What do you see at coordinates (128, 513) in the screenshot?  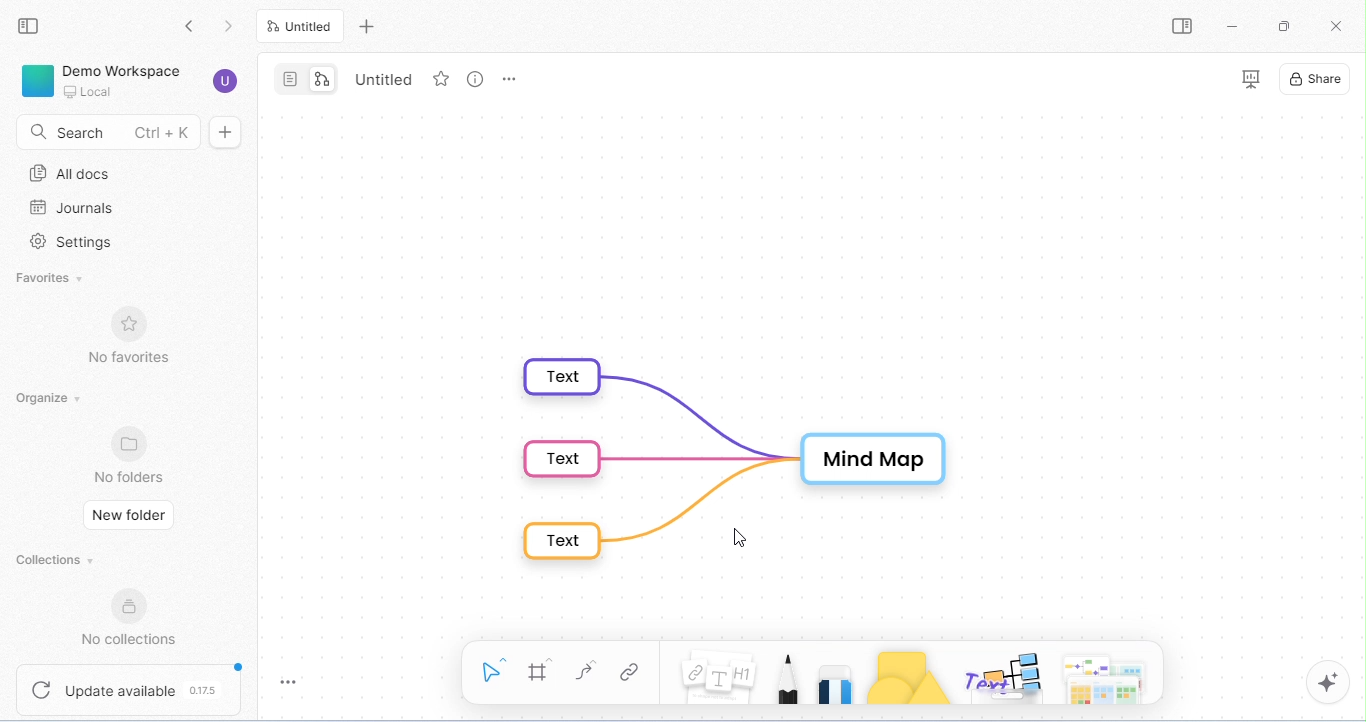 I see `new folder` at bounding box center [128, 513].